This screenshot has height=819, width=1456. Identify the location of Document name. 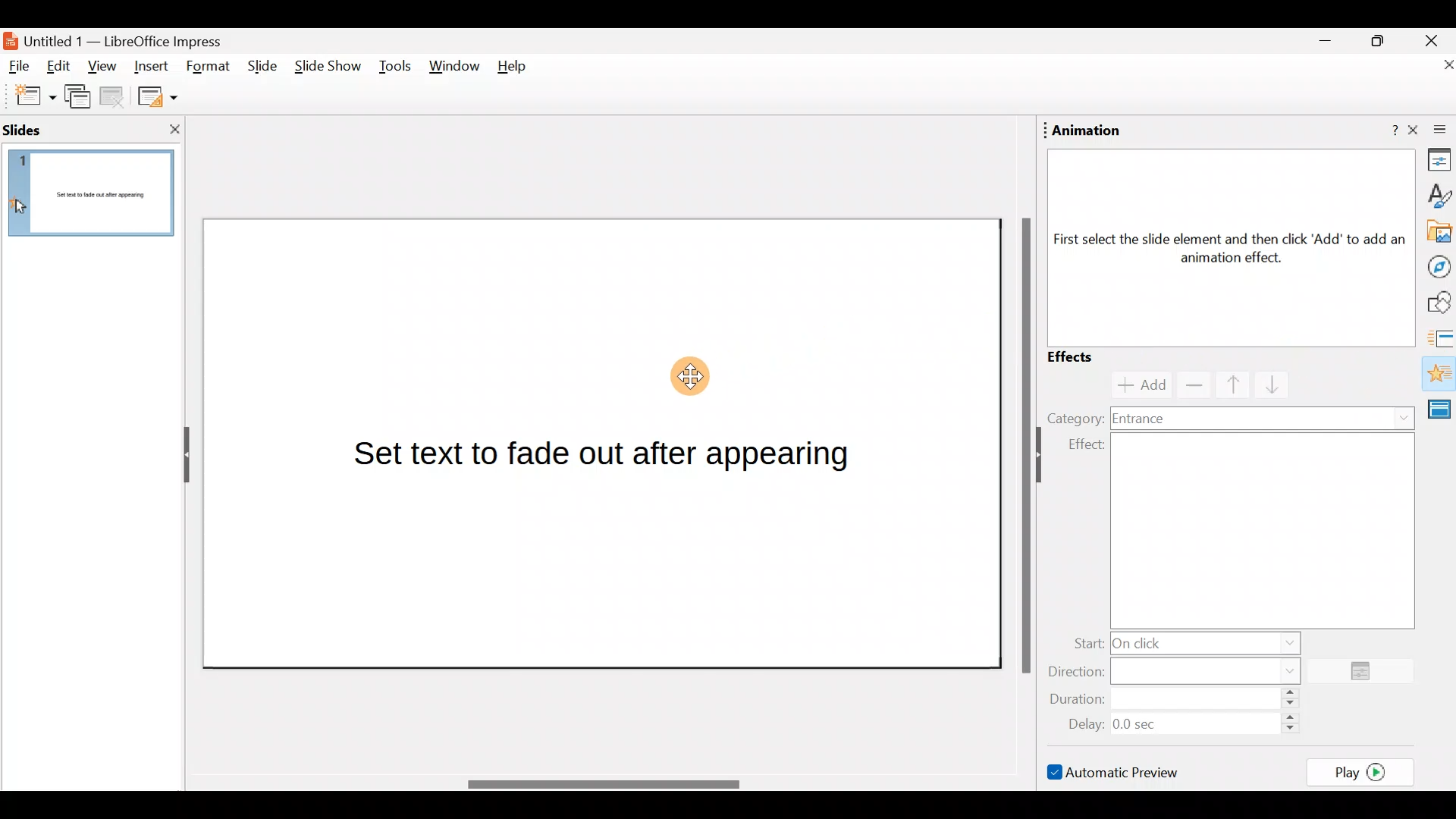
(124, 39).